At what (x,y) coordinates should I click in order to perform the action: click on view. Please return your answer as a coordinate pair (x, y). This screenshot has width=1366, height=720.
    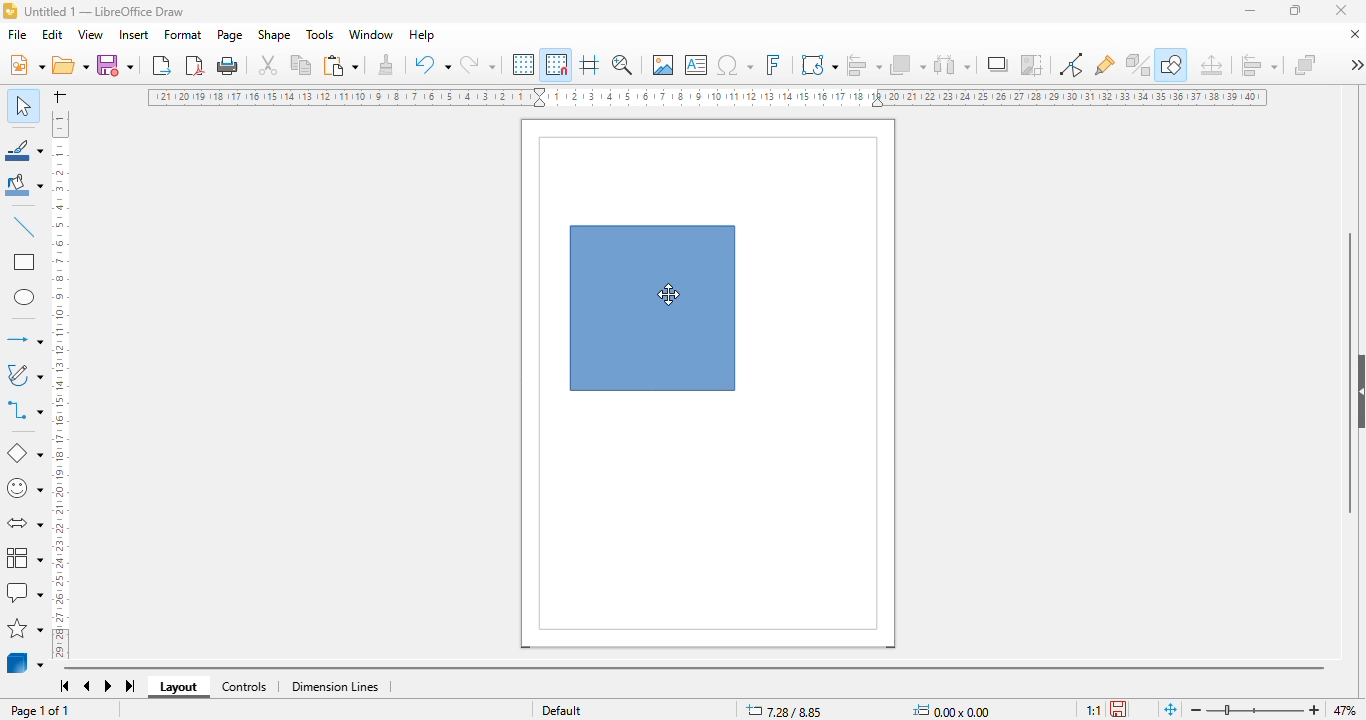
    Looking at the image, I should click on (92, 35).